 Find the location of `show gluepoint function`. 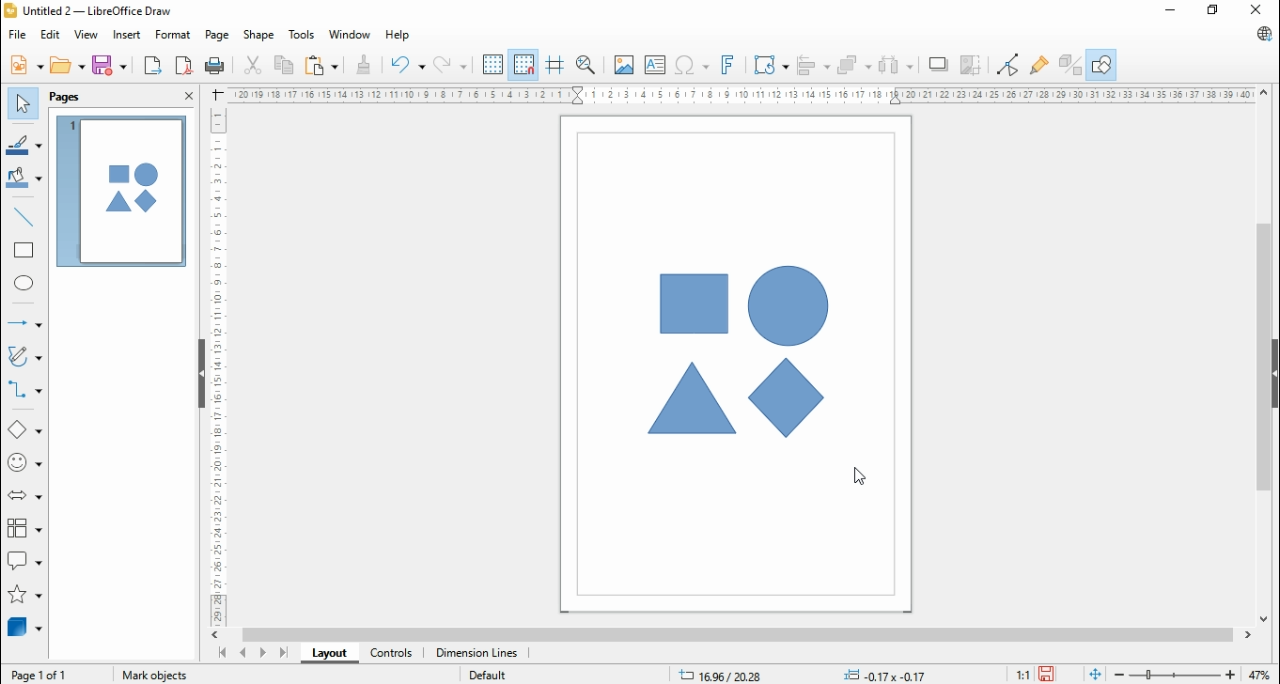

show gluepoint function is located at coordinates (1037, 65).